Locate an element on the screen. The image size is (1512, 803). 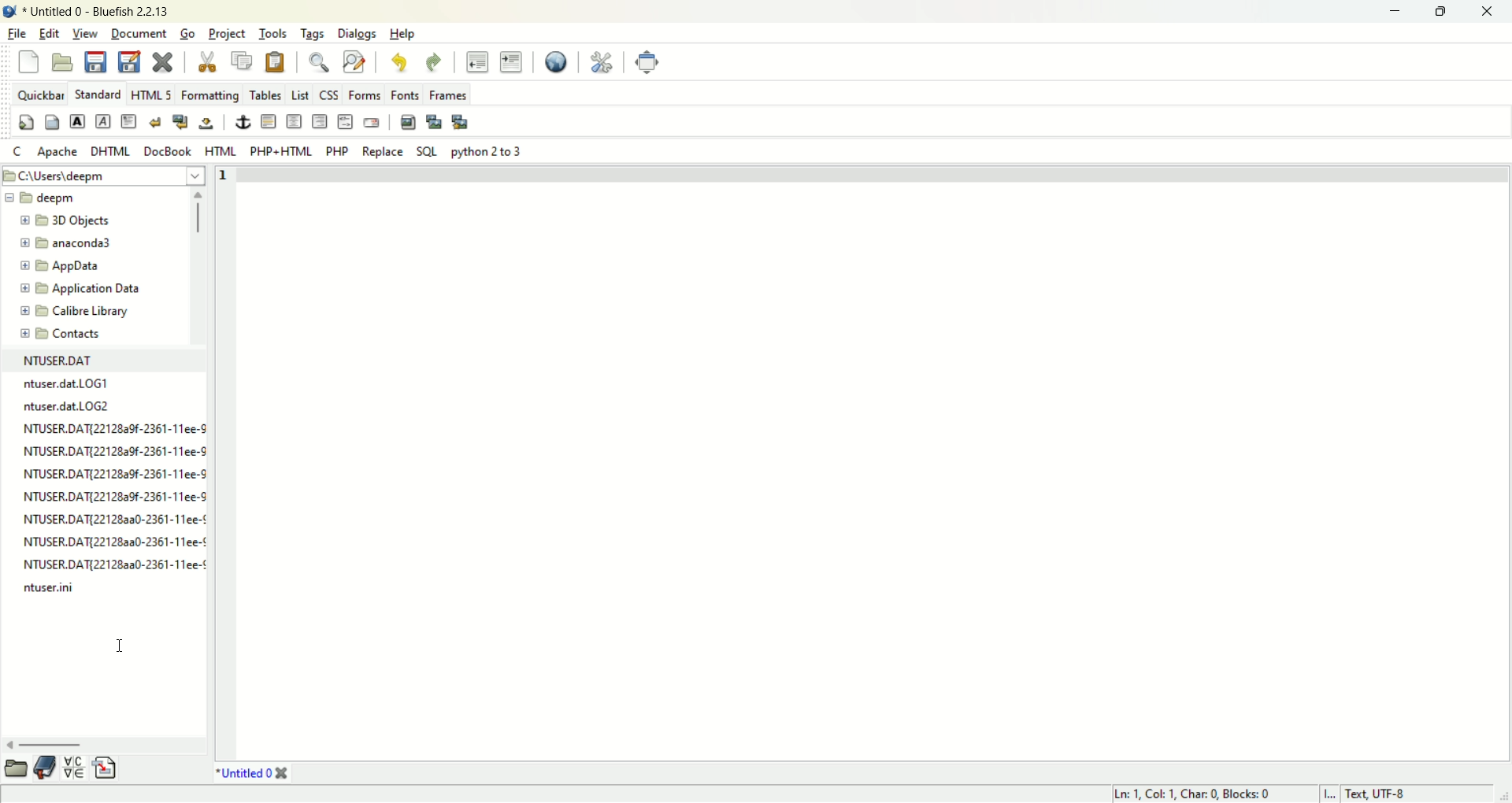
css is located at coordinates (329, 95).